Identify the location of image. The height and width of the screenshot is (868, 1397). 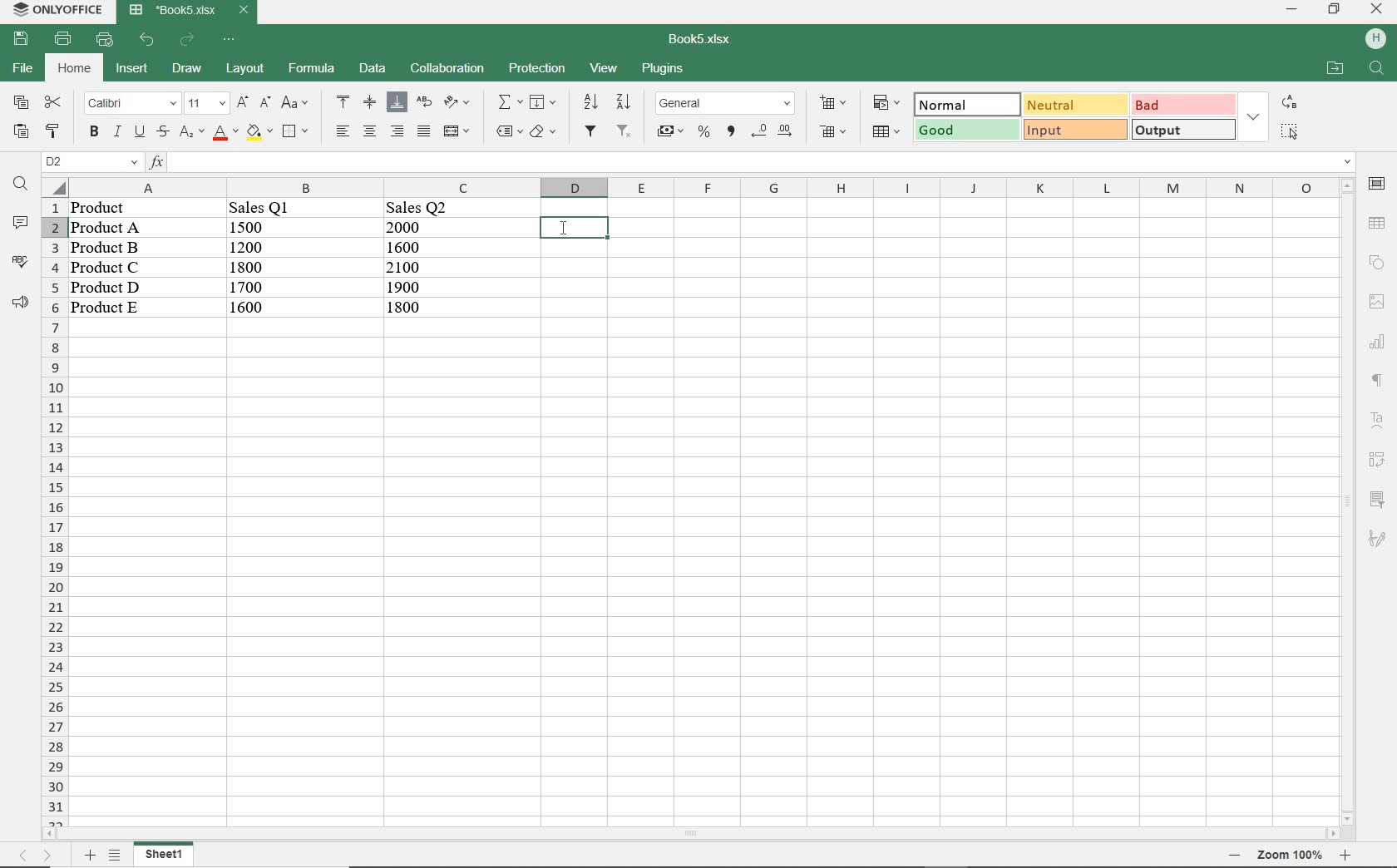
(1379, 301).